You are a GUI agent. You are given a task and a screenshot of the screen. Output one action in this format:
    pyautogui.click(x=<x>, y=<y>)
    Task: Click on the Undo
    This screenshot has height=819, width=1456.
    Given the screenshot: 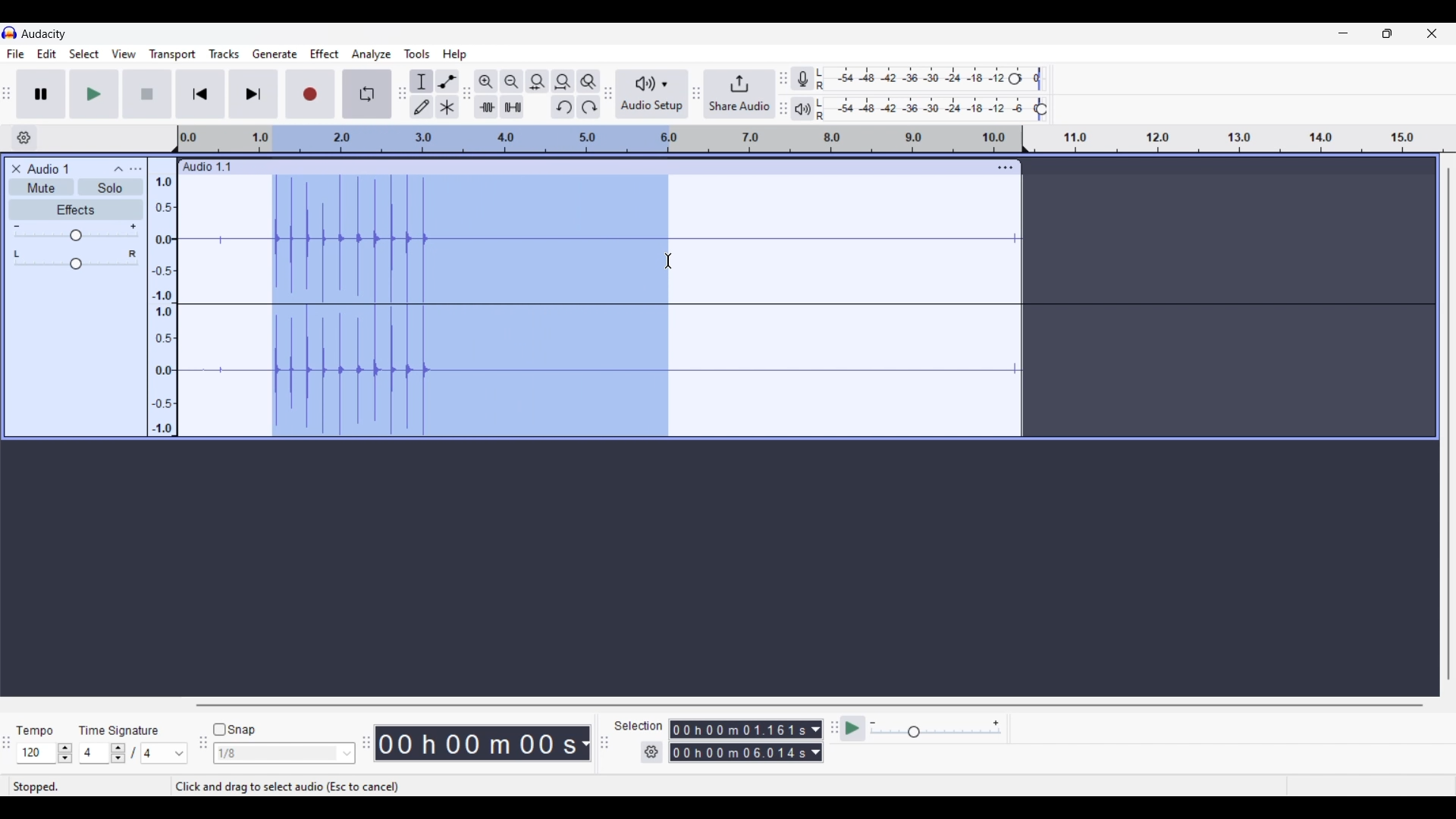 What is the action you would take?
    pyautogui.click(x=562, y=107)
    